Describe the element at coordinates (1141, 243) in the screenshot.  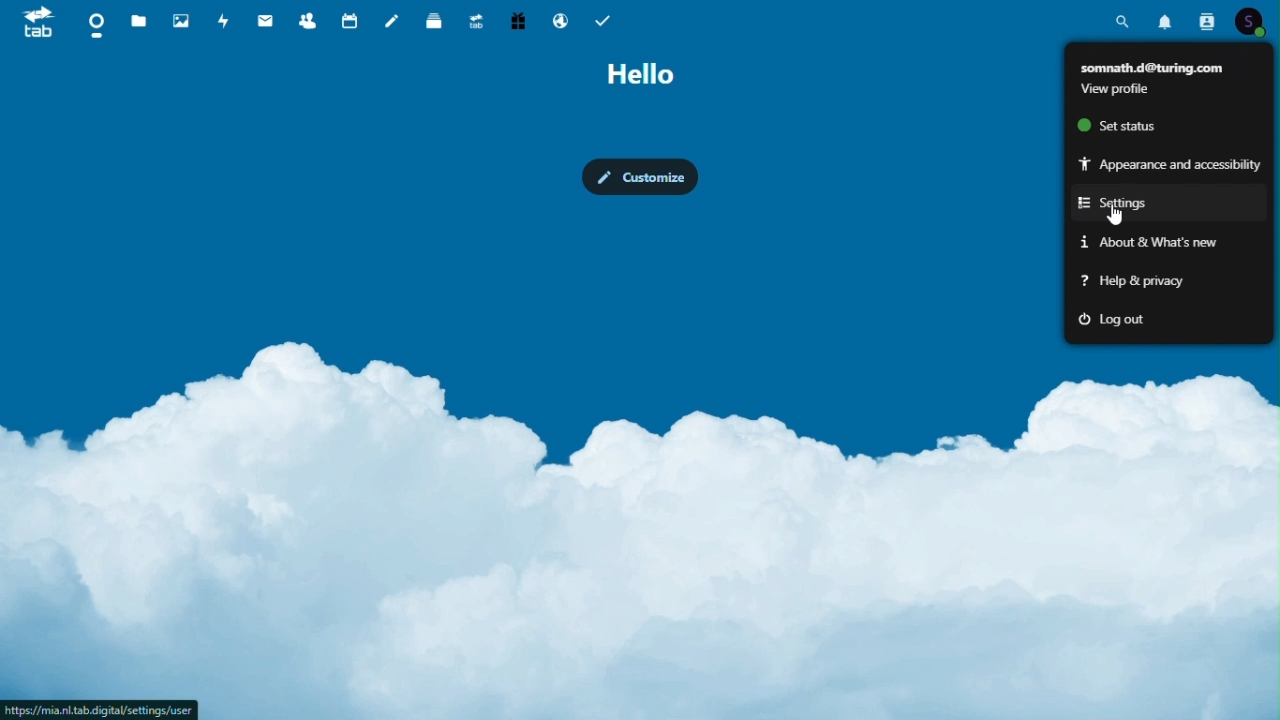
I see `what's new` at that location.